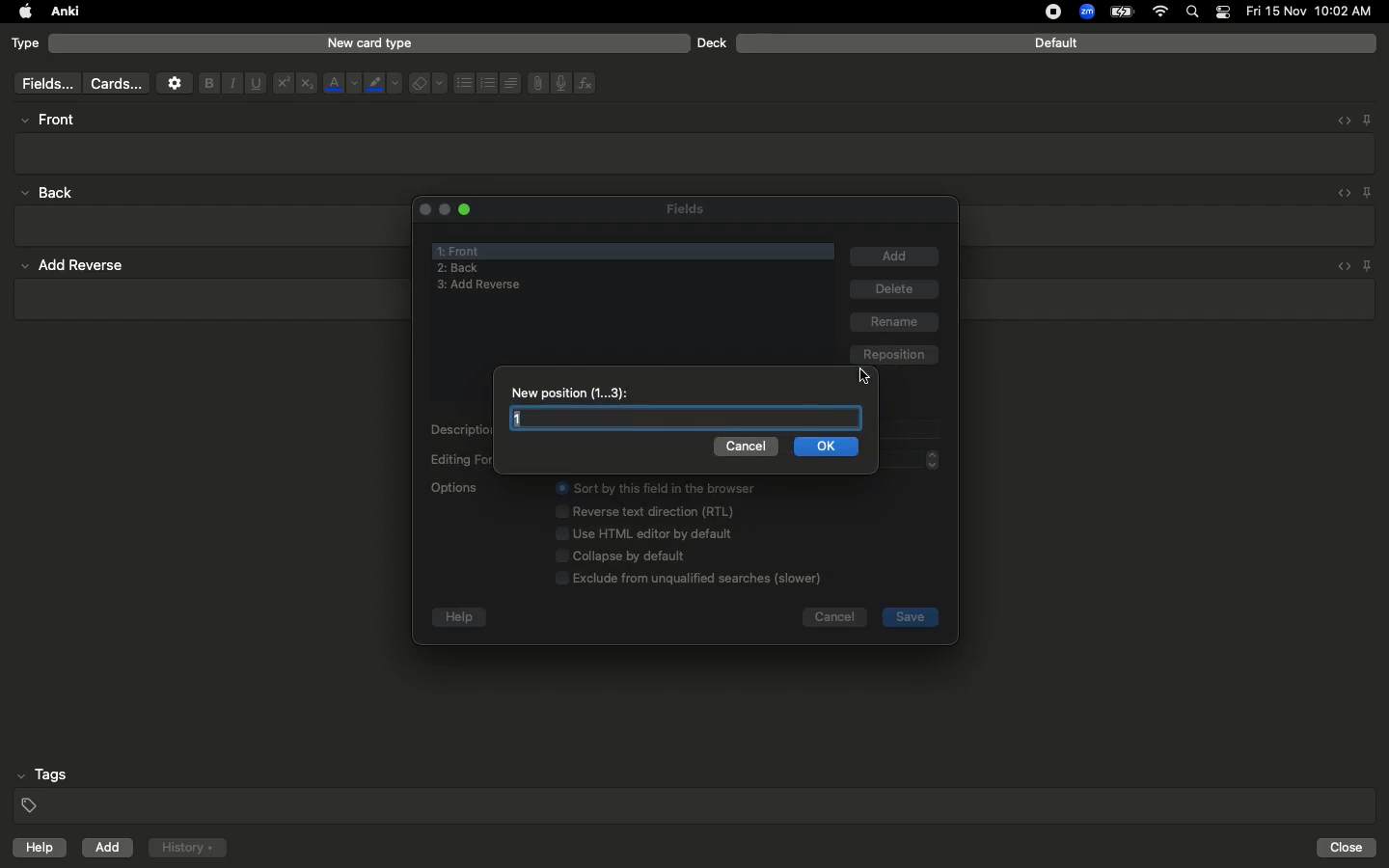 This screenshot has height=868, width=1389. Describe the element at coordinates (896, 323) in the screenshot. I see `rename` at that location.